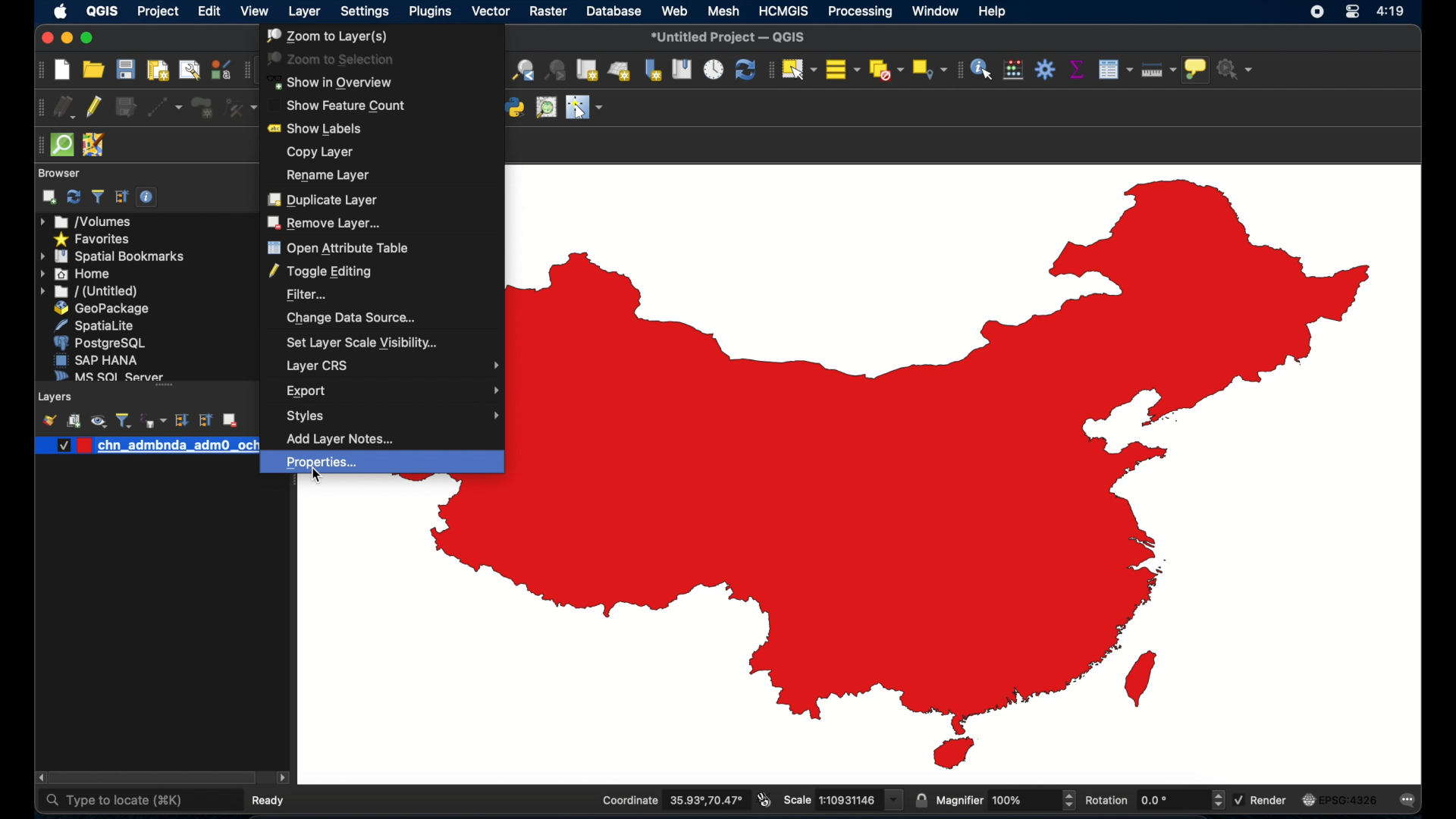  What do you see at coordinates (524, 71) in the screenshot?
I see `zoom last` at bounding box center [524, 71].